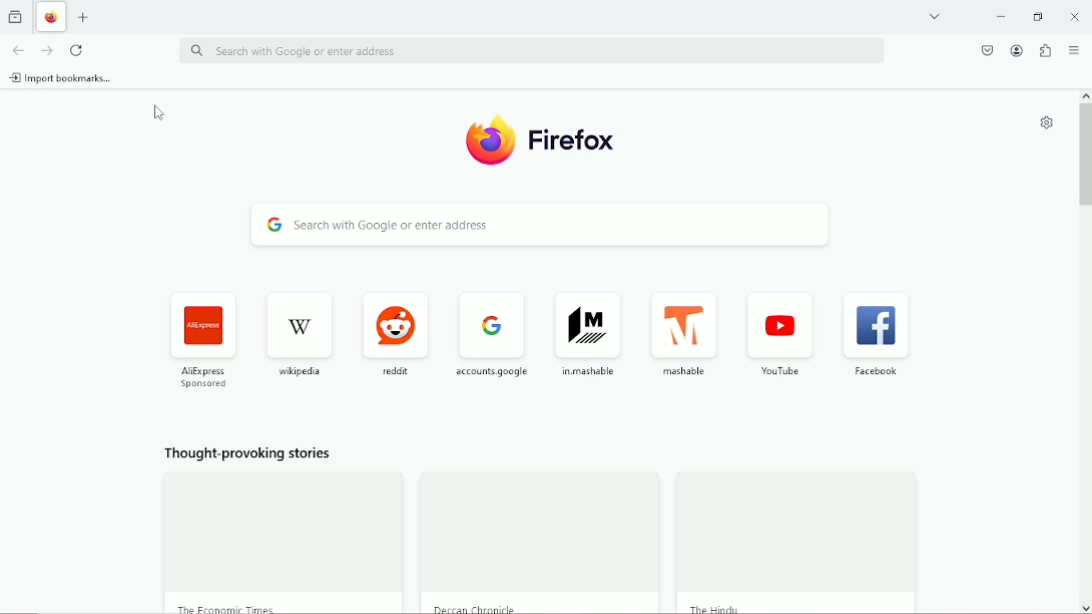 The height and width of the screenshot is (614, 1092). I want to click on open application menu, so click(1074, 51).